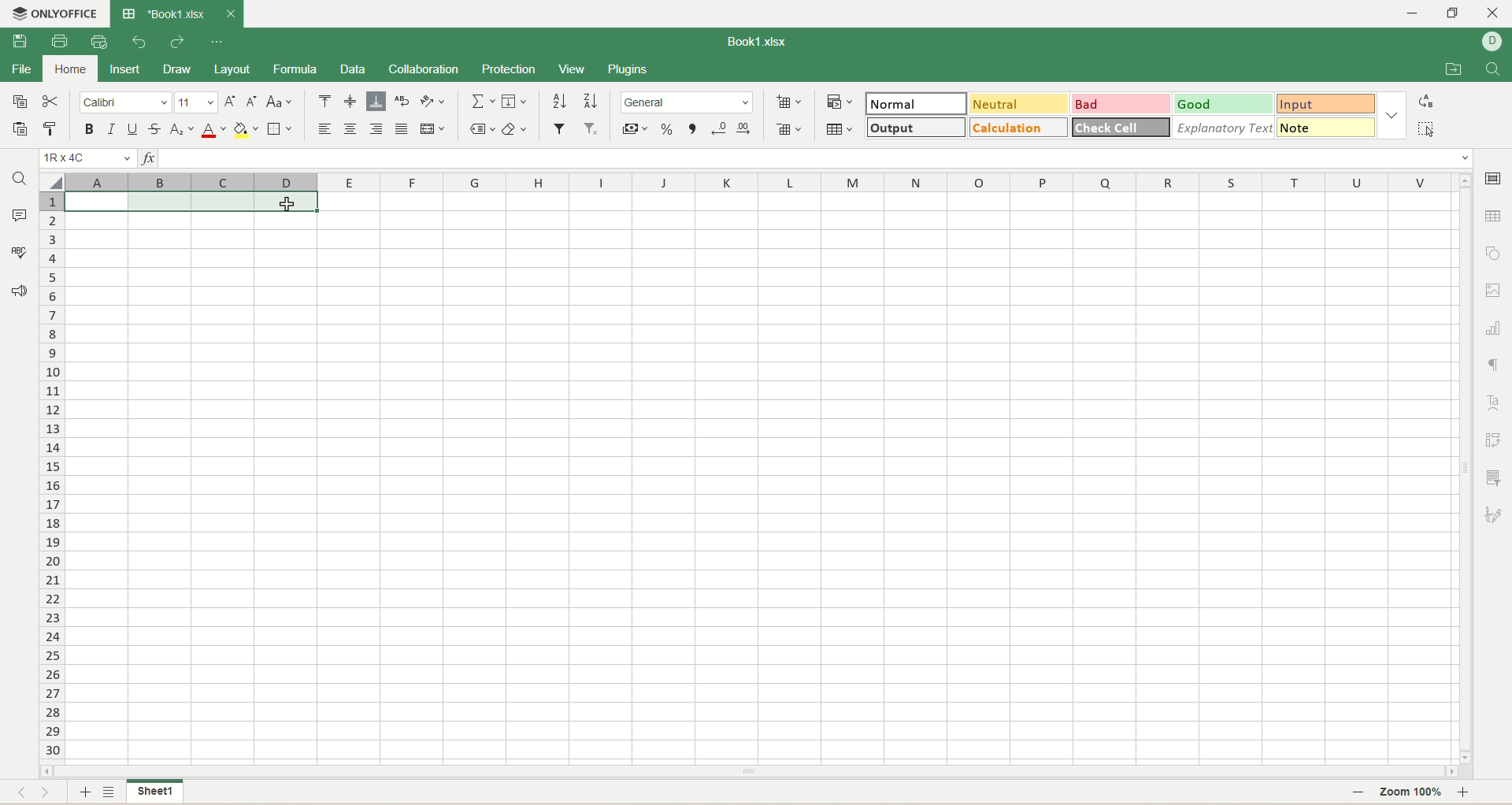 The height and width of the screenshot is (805, 1512). What do you see at coordinates (90, 128) in the screenshot?
I see `bold` at bounding box center [90, 128].